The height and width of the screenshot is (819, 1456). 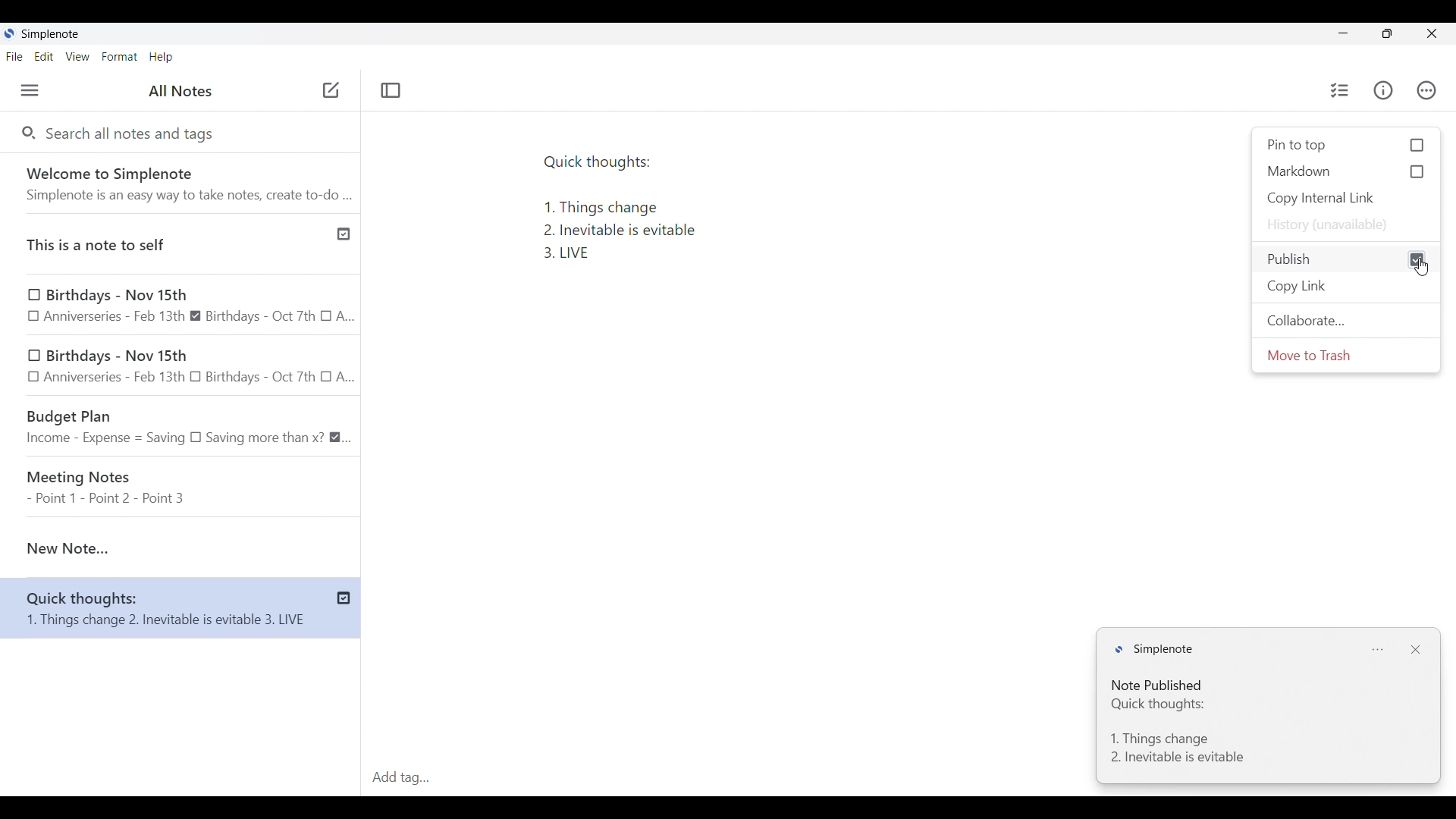 What do you see at coordinates (1346, 355) in the screenshot?
I see `Move to trash` at bounding box center [1346, 355].